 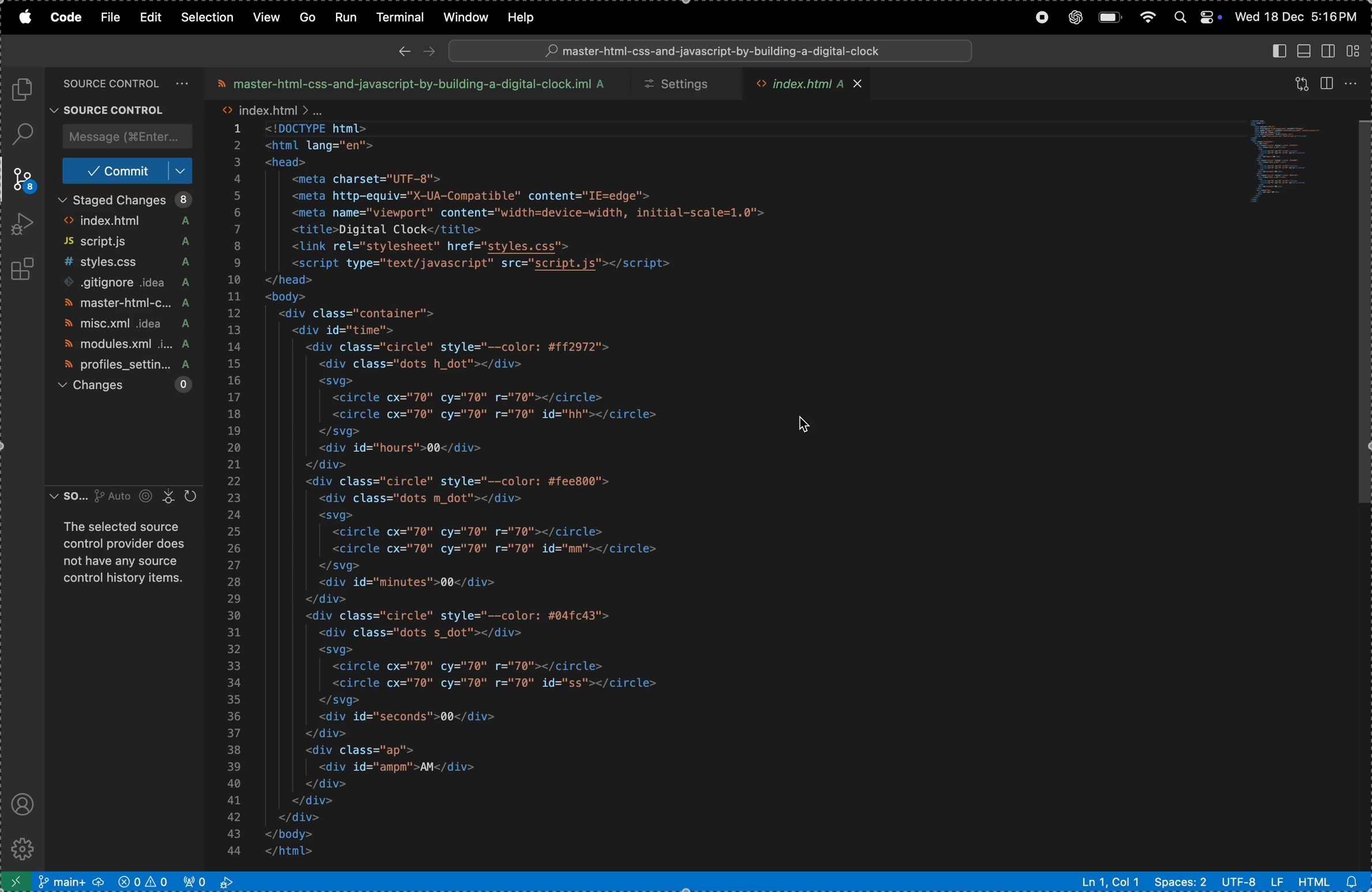 I want to click on battery, so click(x=1109, y=18).